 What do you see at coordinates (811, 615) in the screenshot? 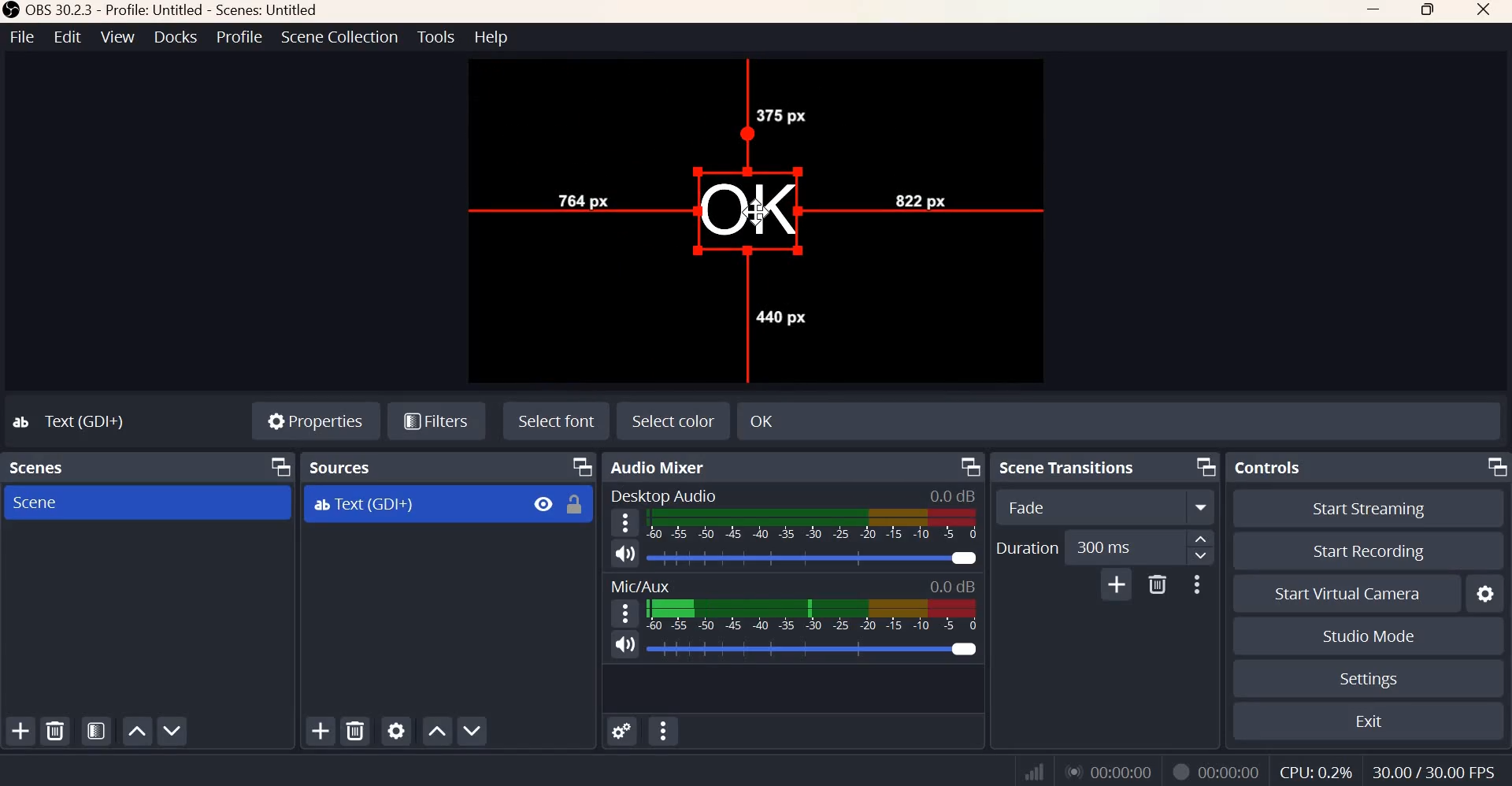
I see `Volume Meter` at bounding box center [811, 615].